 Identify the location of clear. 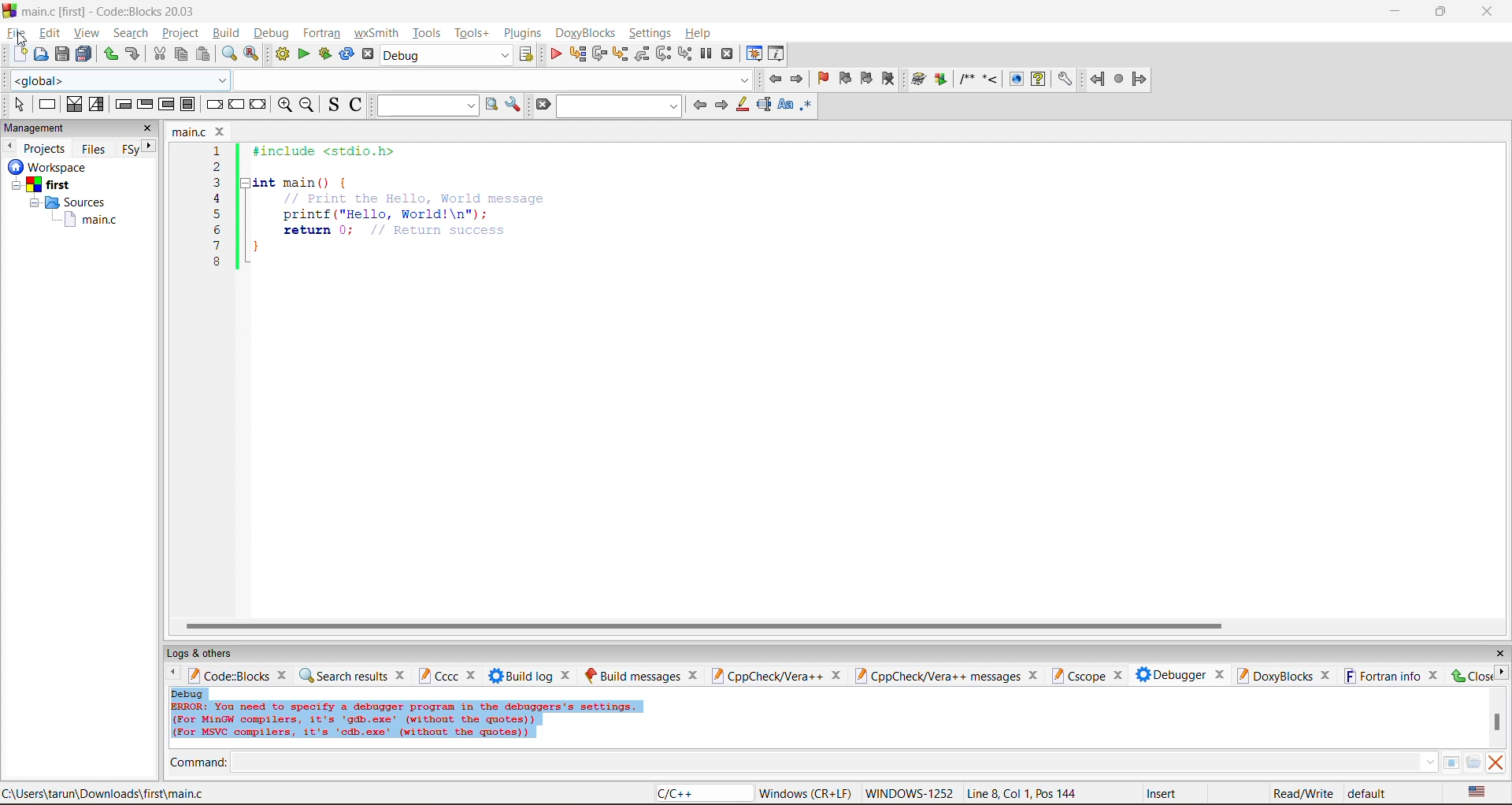
(542, 105).